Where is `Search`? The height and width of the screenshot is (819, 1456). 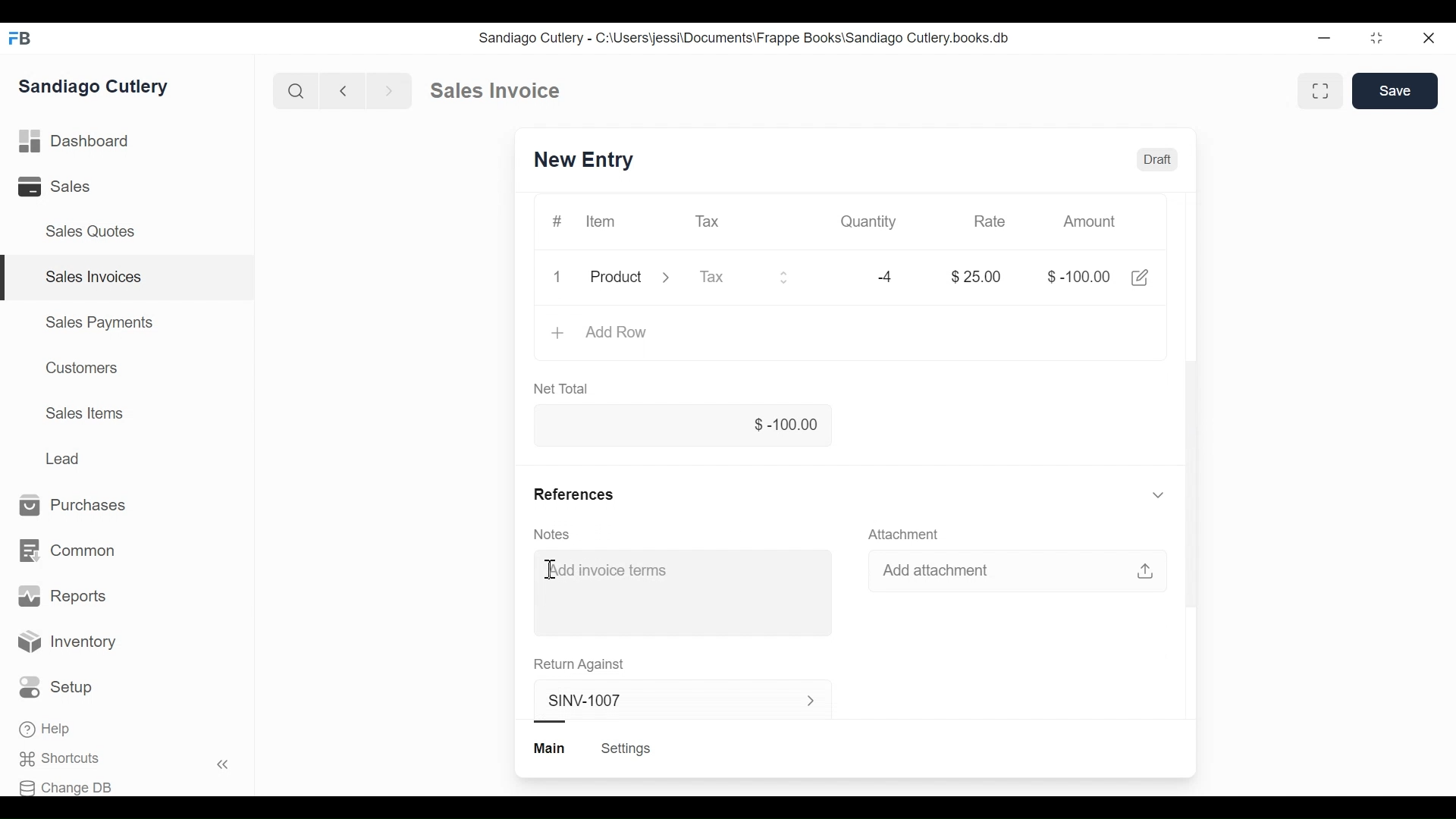
Search is located at coordinates (296, 89).